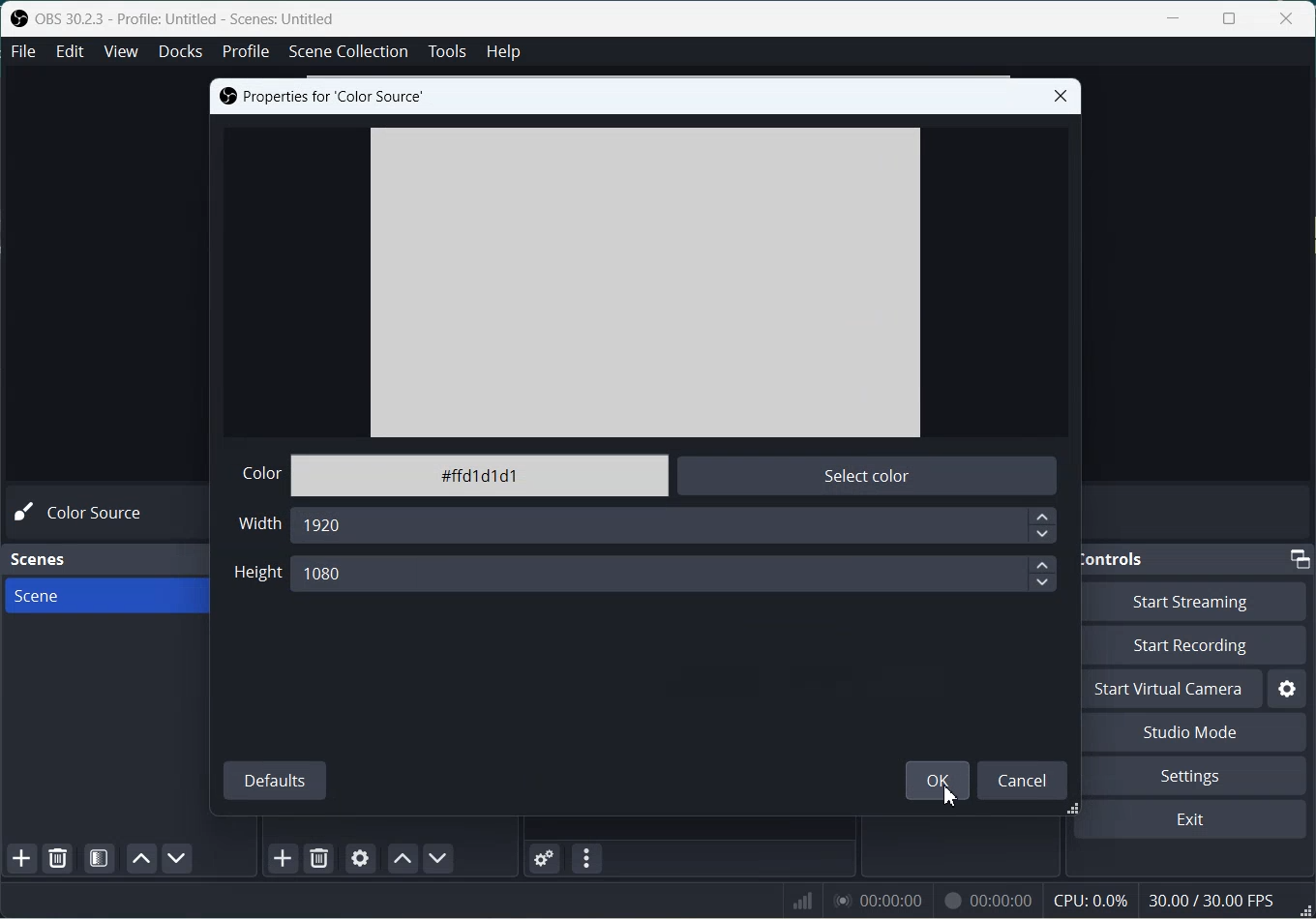 This screenshot has height=919, width=1316. Describe the element at coordinates (480, 475) in the screenshot. I see `#ffd1d1d1` at that location.